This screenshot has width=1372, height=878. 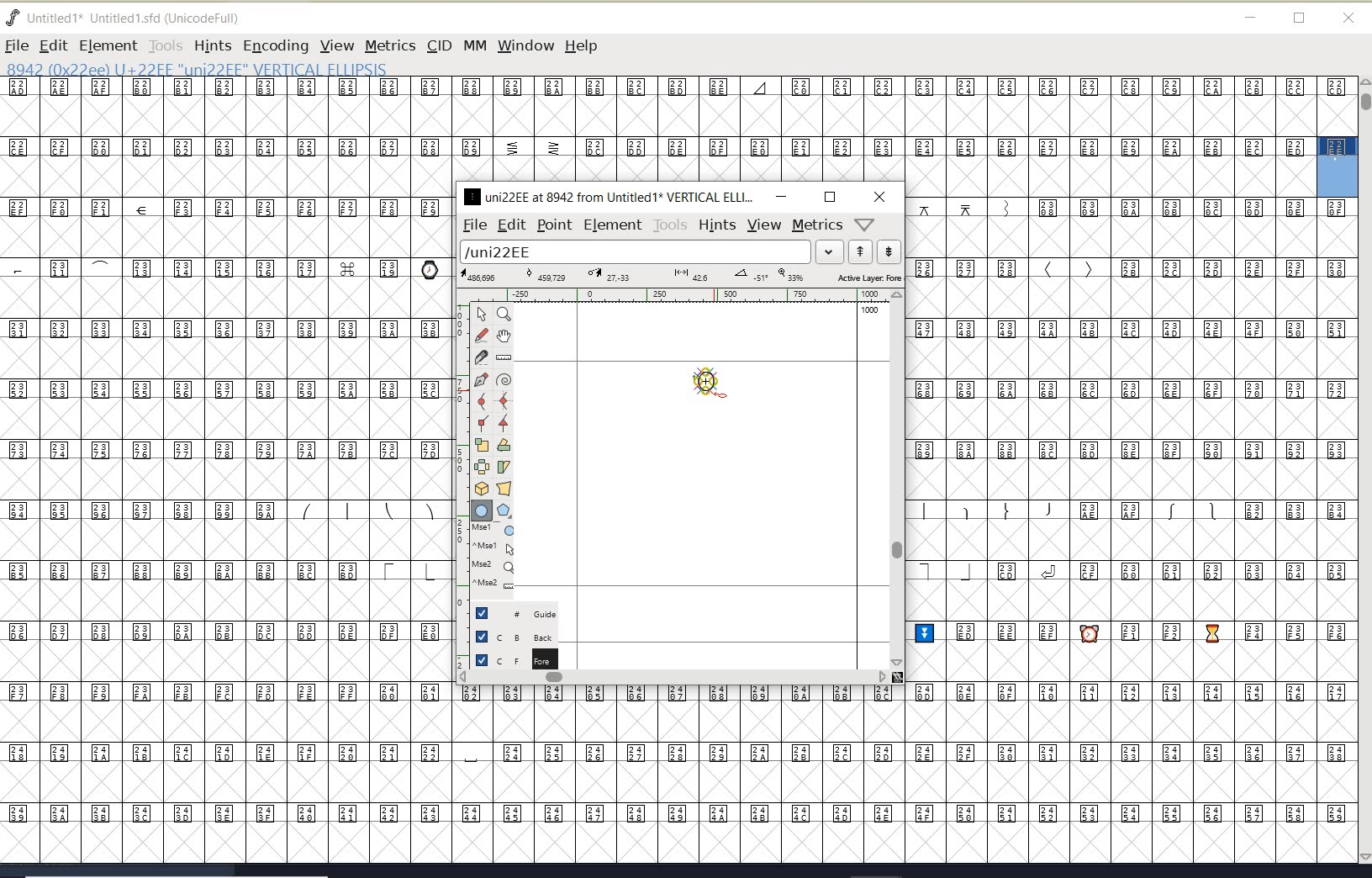 What do you see at coordinates (495, 557) in the screenshot?
I see `cursor events on the open new outline window` at bounding box center [495, 557].